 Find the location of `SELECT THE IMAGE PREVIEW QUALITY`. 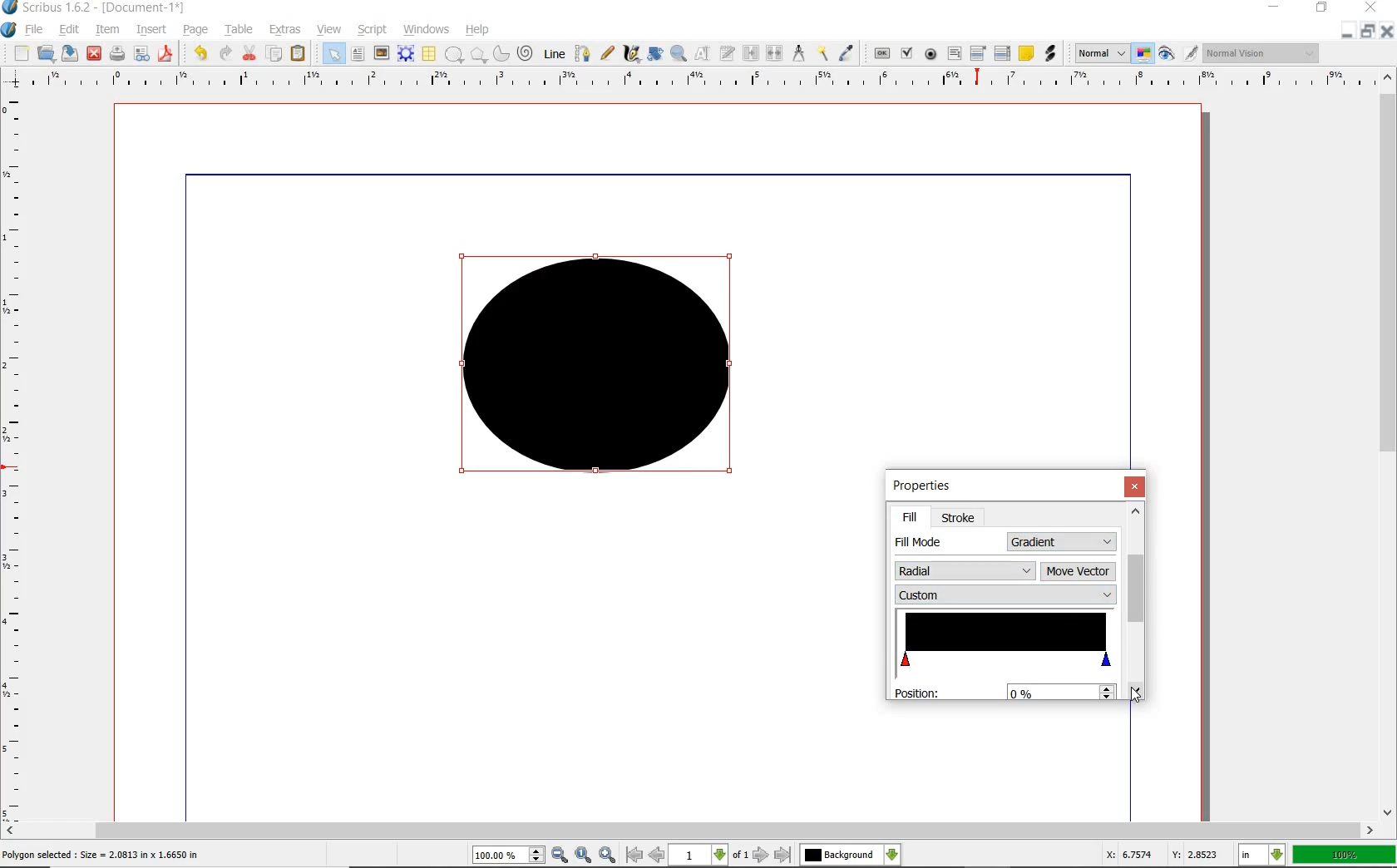

SELECT THE IMAGE PREVIEW QUALITY is located at coordinates (1102, 53).